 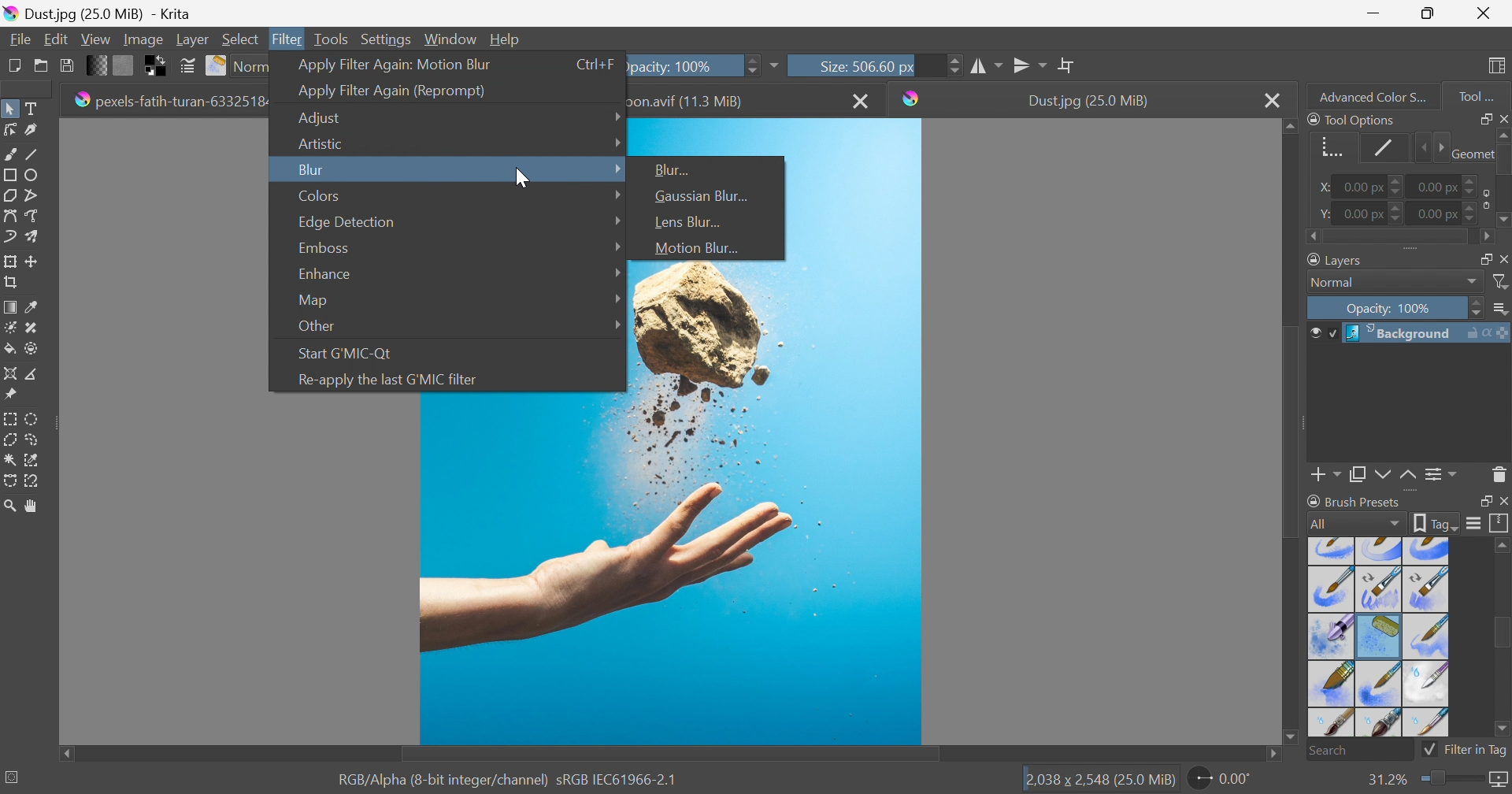 What do you see at coordinates (618, 297) in the screenshot?
I see `Drop Down` at bounding box center [618, 297].